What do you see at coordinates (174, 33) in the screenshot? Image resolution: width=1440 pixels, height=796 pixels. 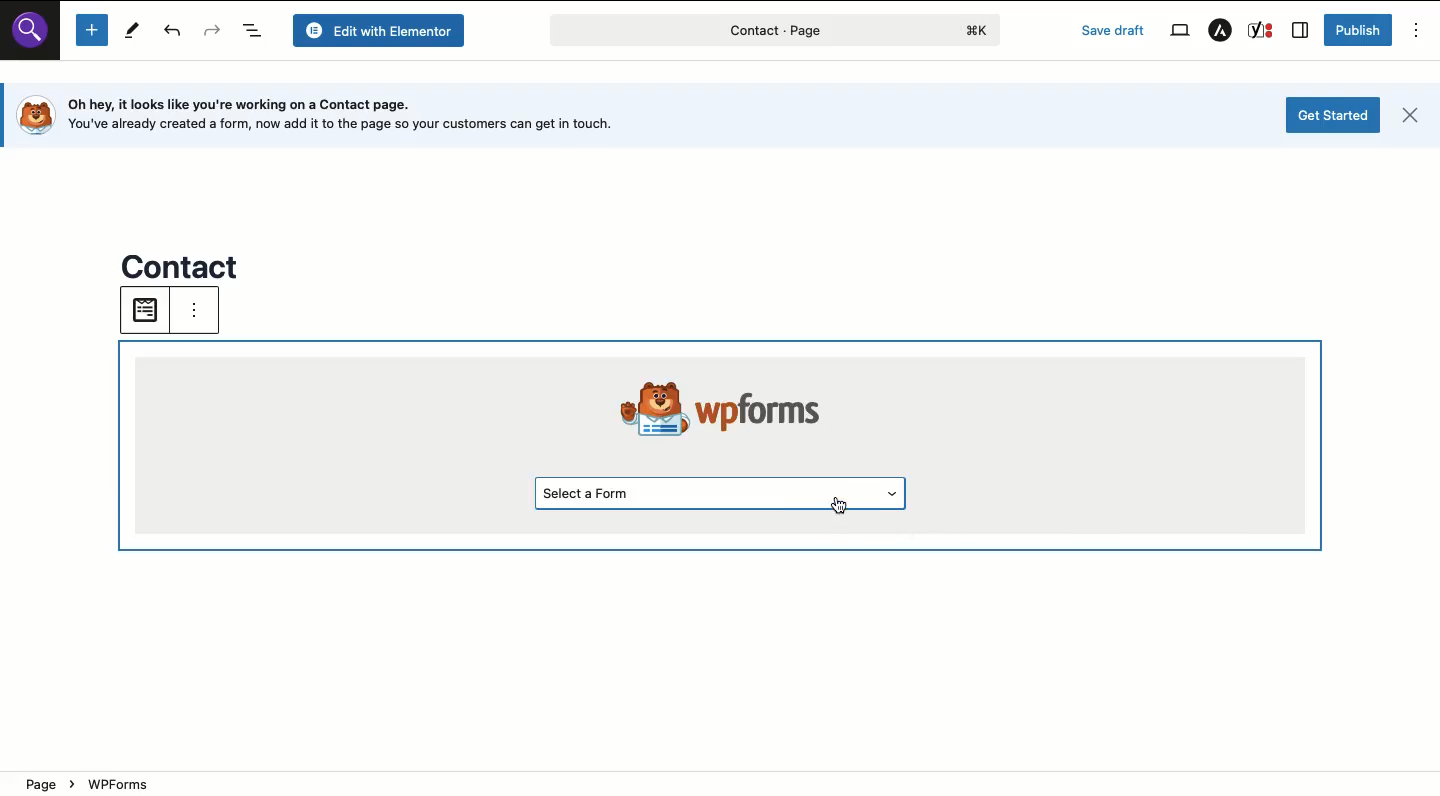 I see `Undo` at bounding box center [174, 33].